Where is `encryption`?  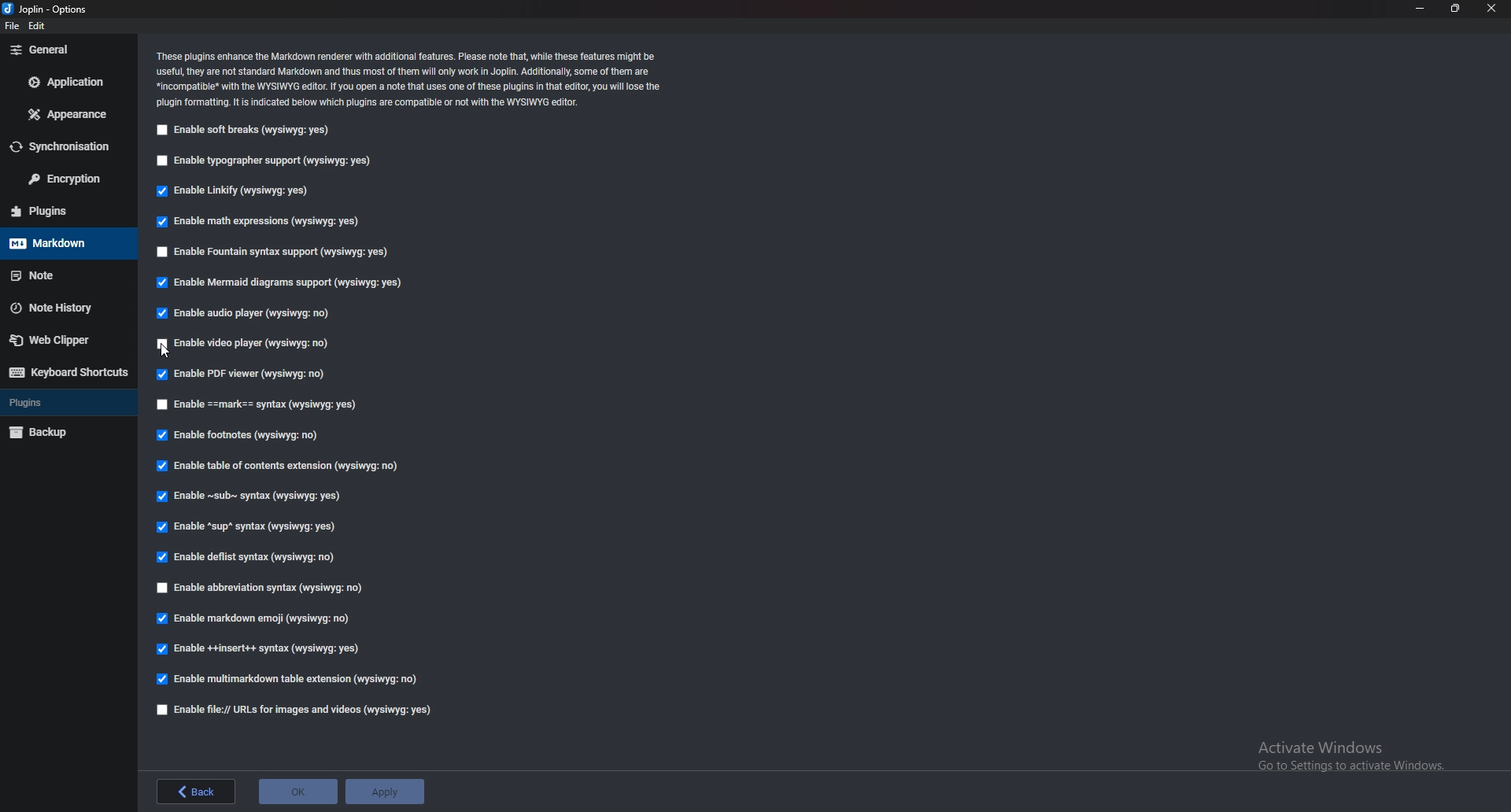
encryption is located at coordinates (63, 180).